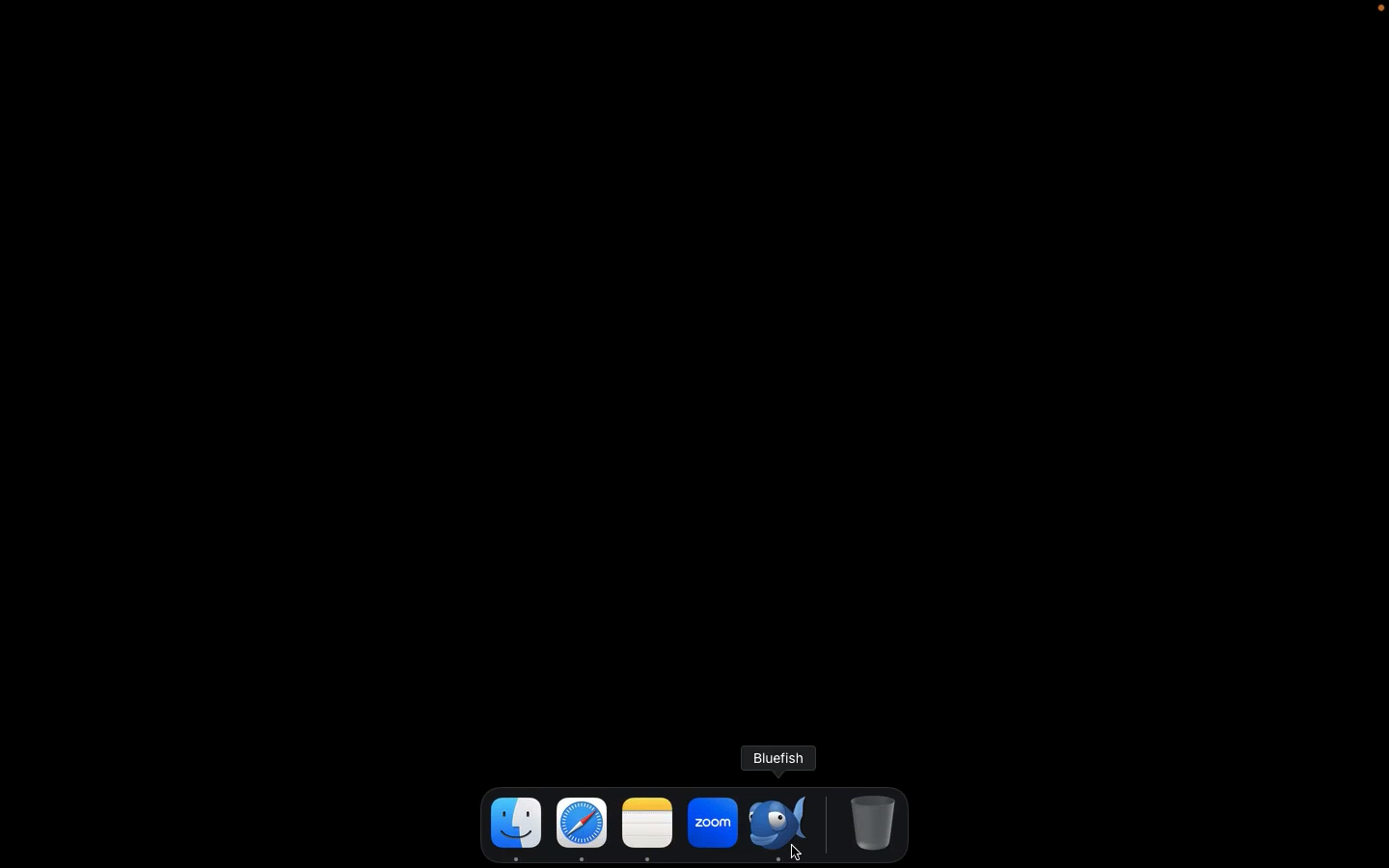 The width and height of the screenshot is (1389, 868). Describe the element at coordinates (777, 757) in the screenshot. I see `bluefish` at that location.